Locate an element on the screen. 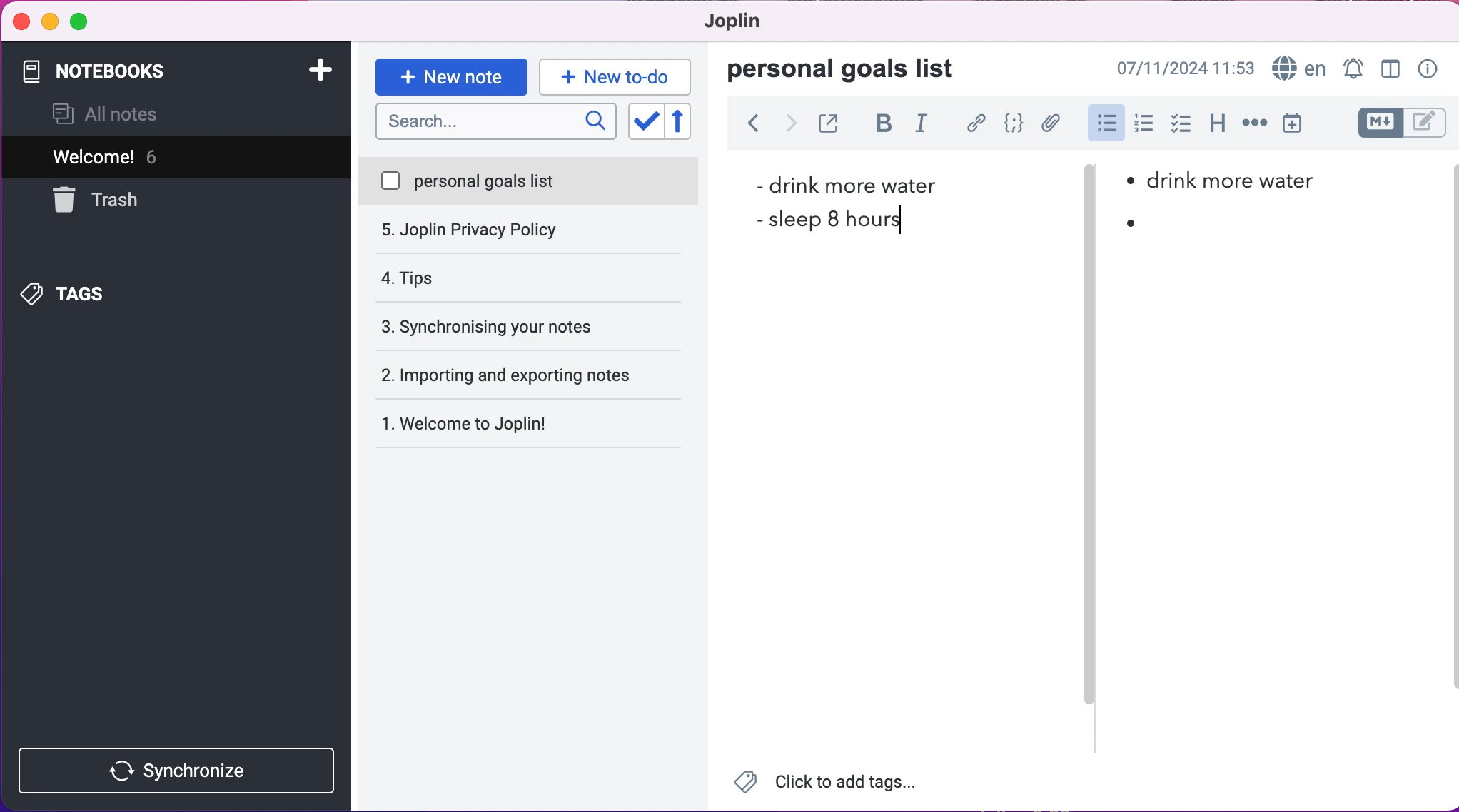 The width and height of the screenshot is (1459, 812). toggle sort order field is located at coordinates (644, 122).